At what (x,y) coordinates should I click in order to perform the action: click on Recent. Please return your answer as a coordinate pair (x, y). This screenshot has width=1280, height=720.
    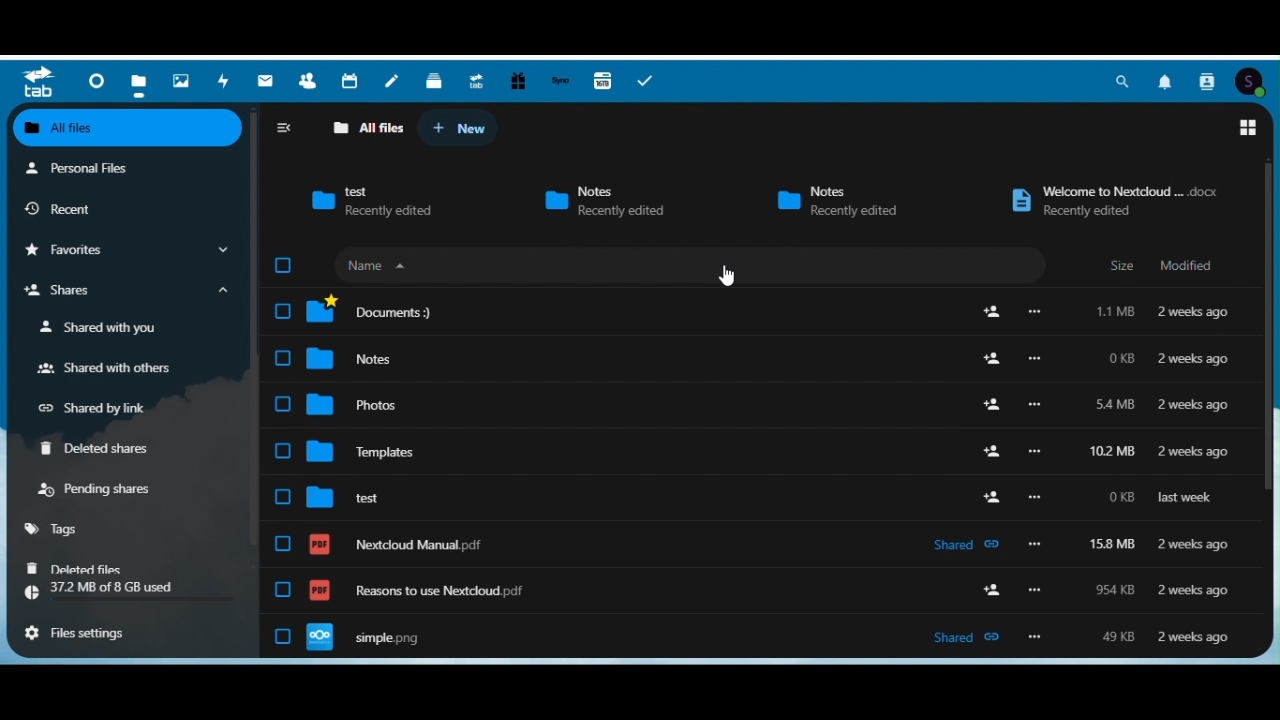
    Looking at the image, I should click on (67, 205).